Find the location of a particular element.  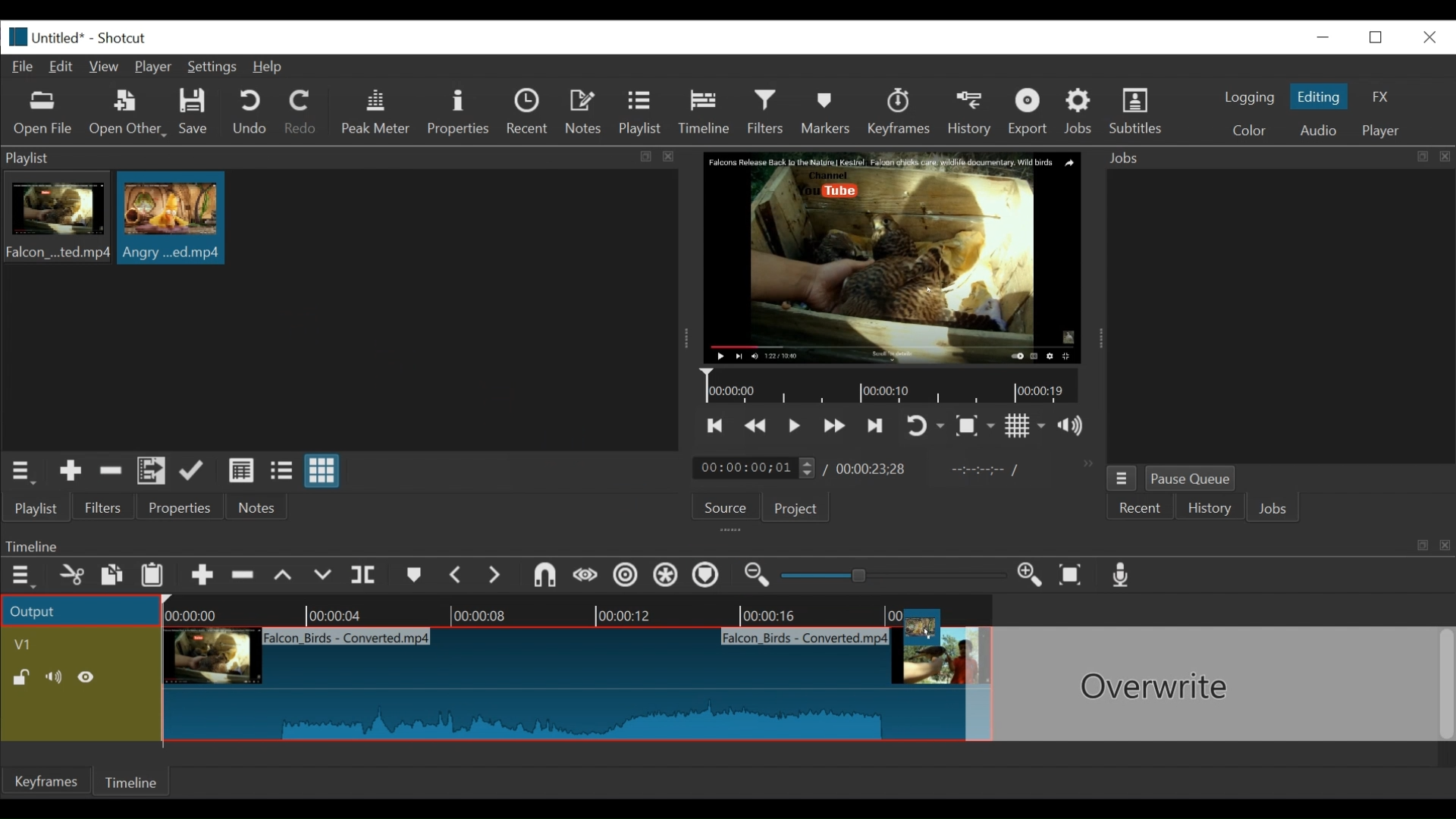

JOBS is located at coordinates (1275, 510).